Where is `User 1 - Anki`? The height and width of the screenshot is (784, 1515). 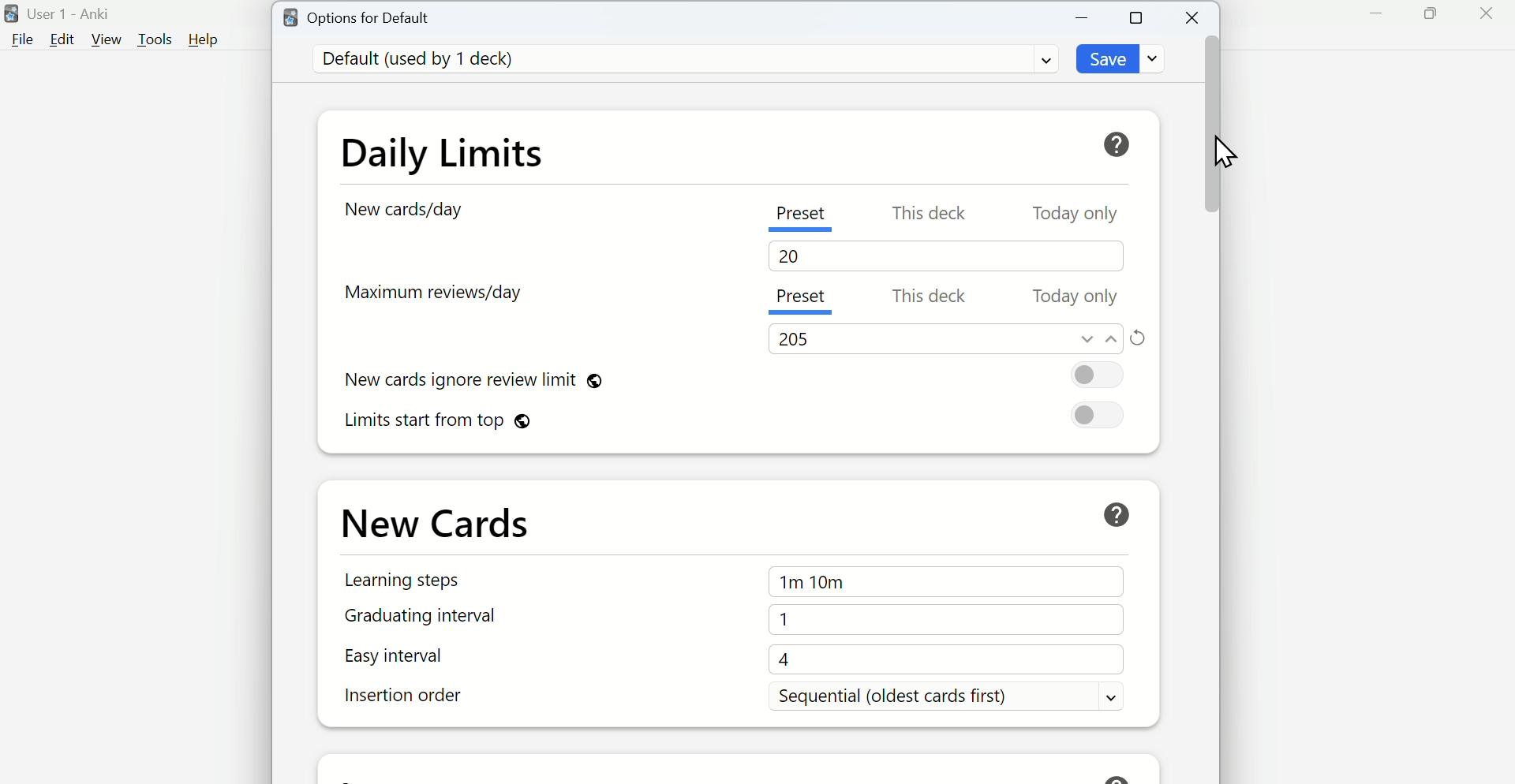 User 1 - Anki is located at coordinates (61, 14).